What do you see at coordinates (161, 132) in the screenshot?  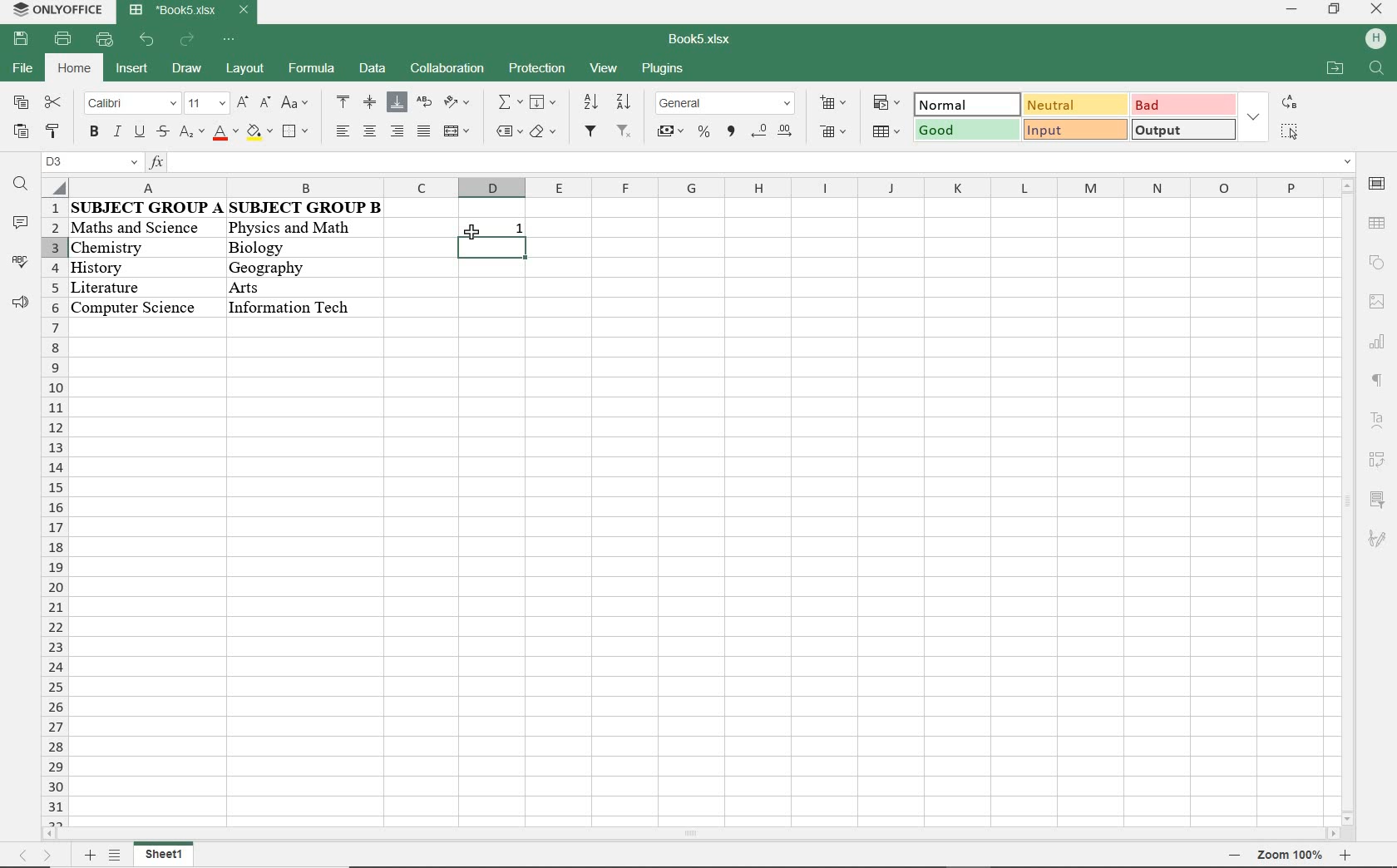 I see `strikethrough` at bounding box center [161, 132].